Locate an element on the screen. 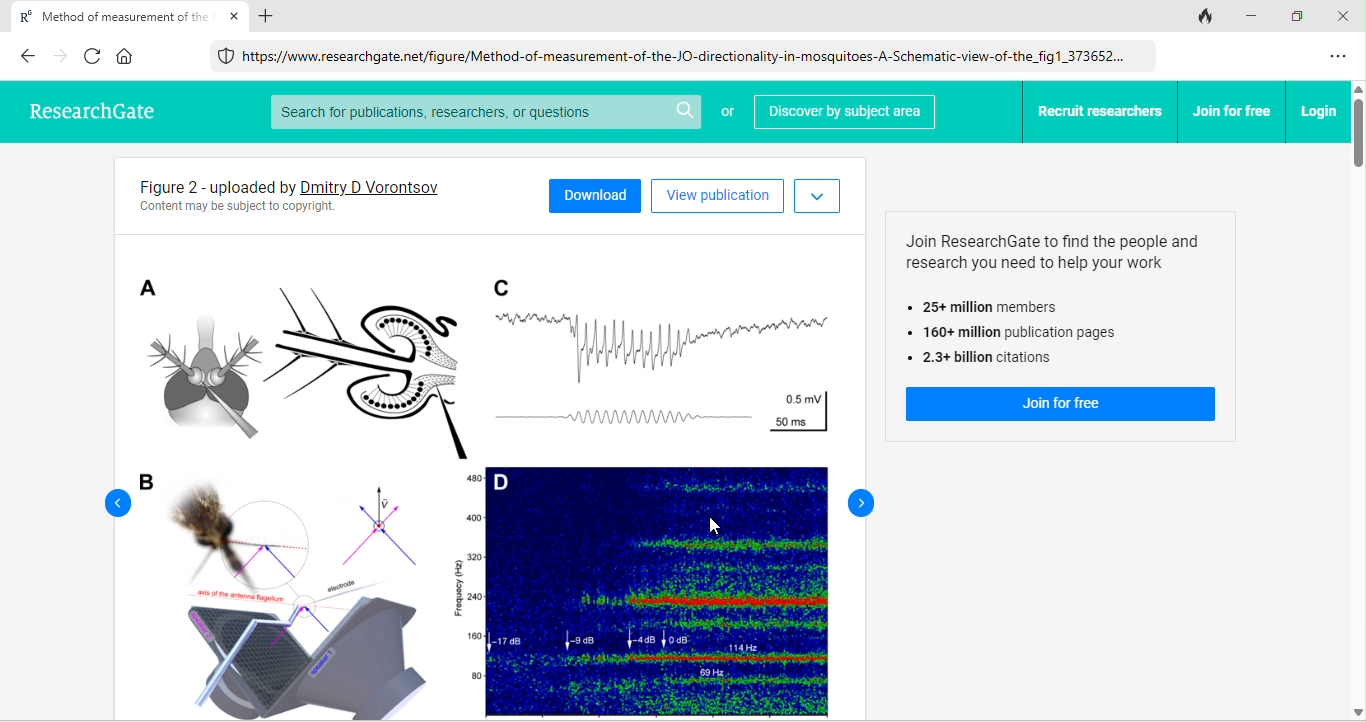  maximize is located at coordinates (1302, 17).